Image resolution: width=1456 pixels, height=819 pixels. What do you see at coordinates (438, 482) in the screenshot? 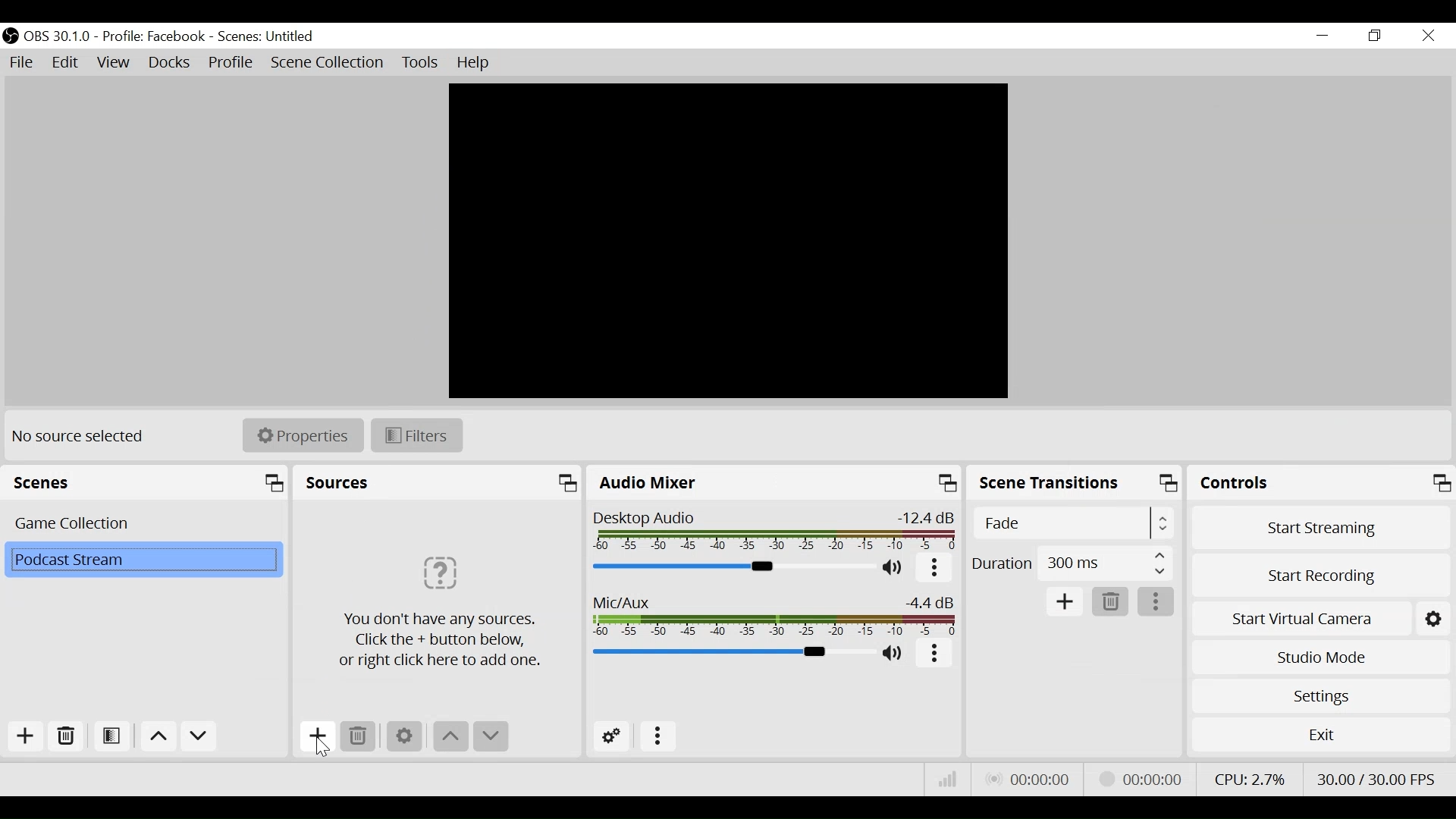
I see `Sources Panel` at bounding box center [438, 482].